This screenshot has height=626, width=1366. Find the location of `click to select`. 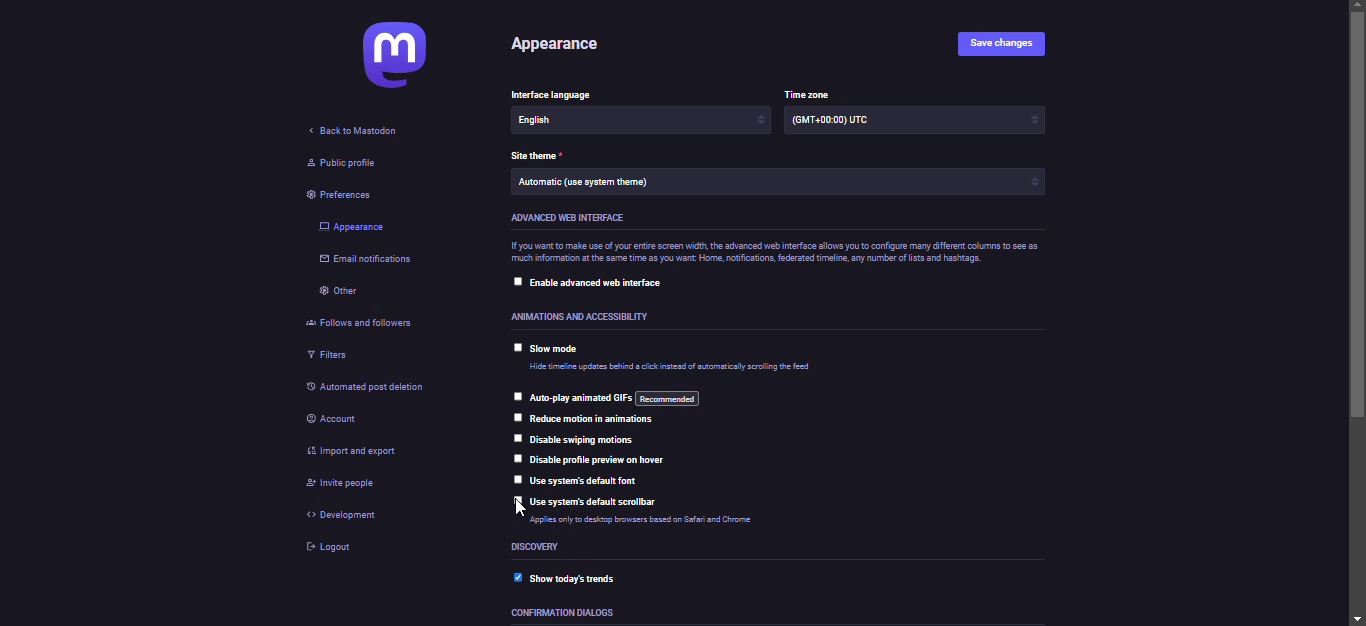

click to select is located at coordinates (515, 283).